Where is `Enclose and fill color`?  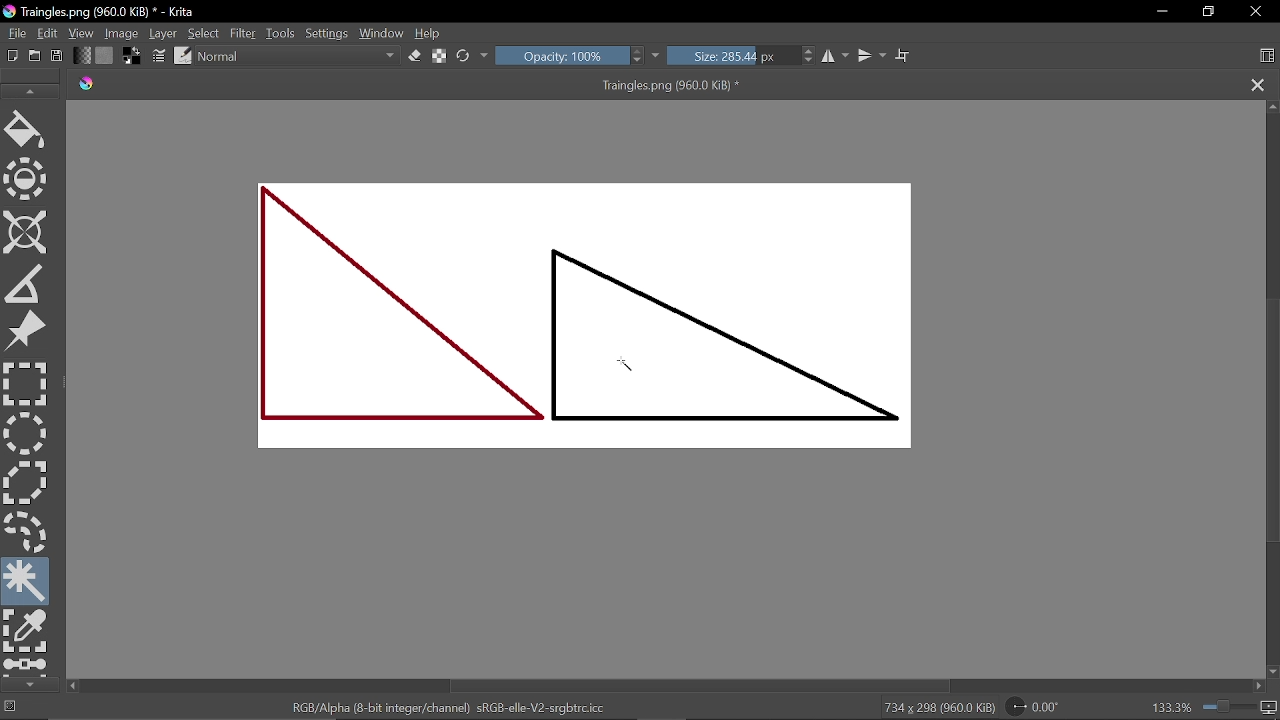 Enclose and fill color is located at coordinates (27, 181).